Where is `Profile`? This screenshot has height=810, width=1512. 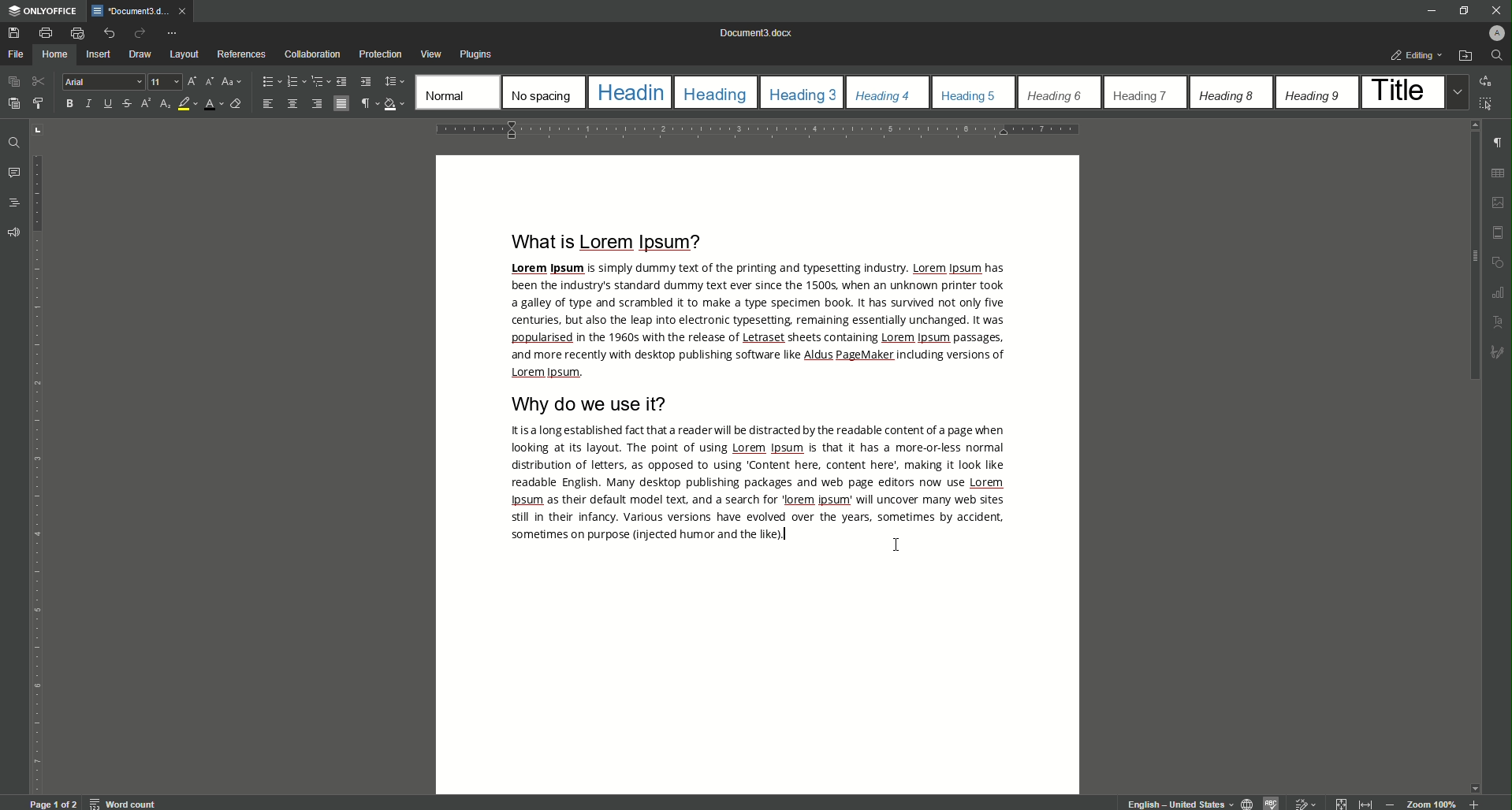
Profile is located at coordinates (1495, 33).